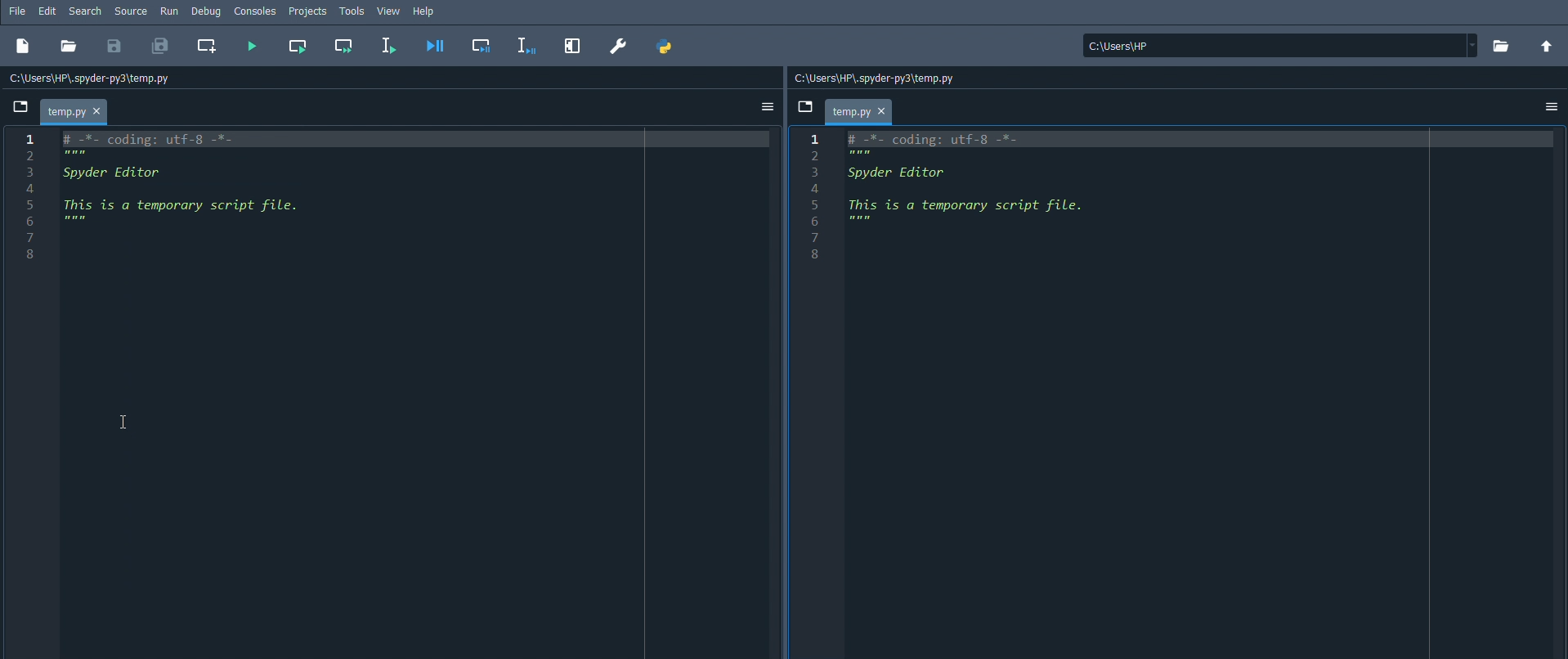 Image resolution: width=1568 pixels, height=659 pixels. What do you see at coordinates (528, 44) in the screenshot?
I see `Debug selection or current line` at bounding box center [528, 44].